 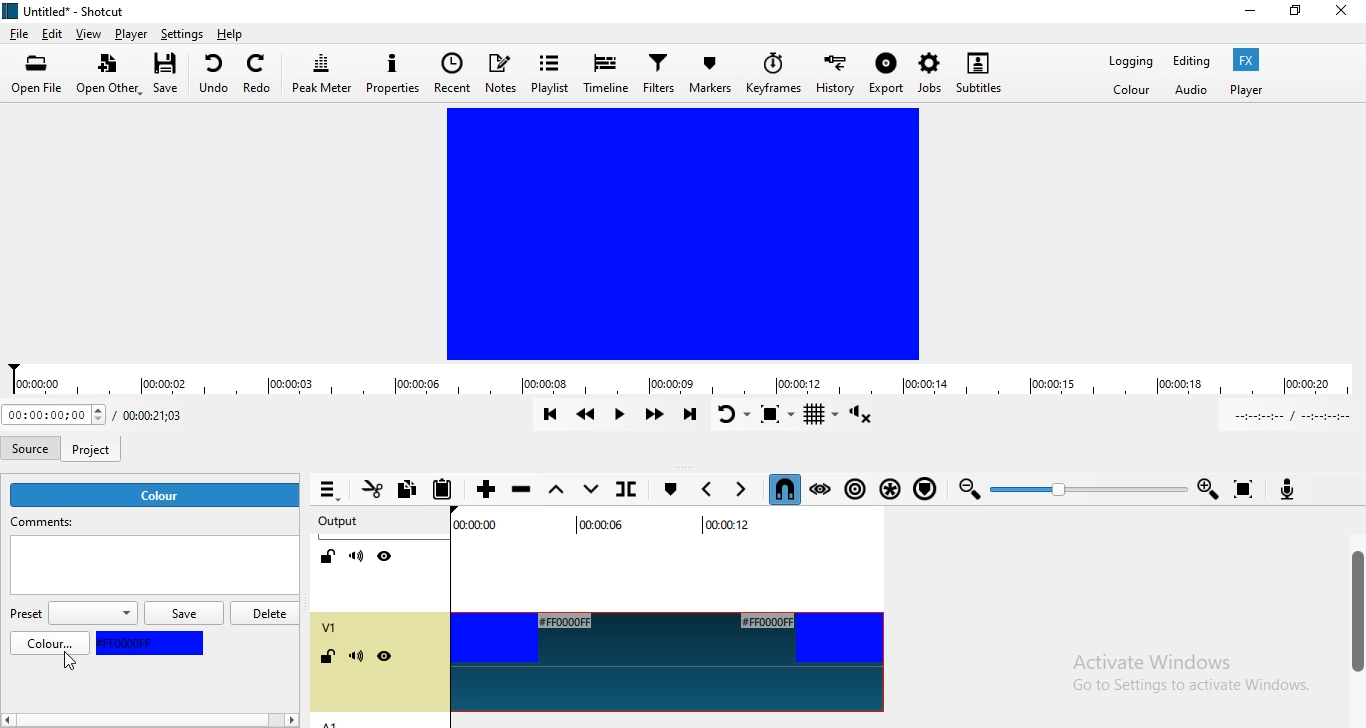 I want to click on Zoom in, so click(x=1211, y=487).